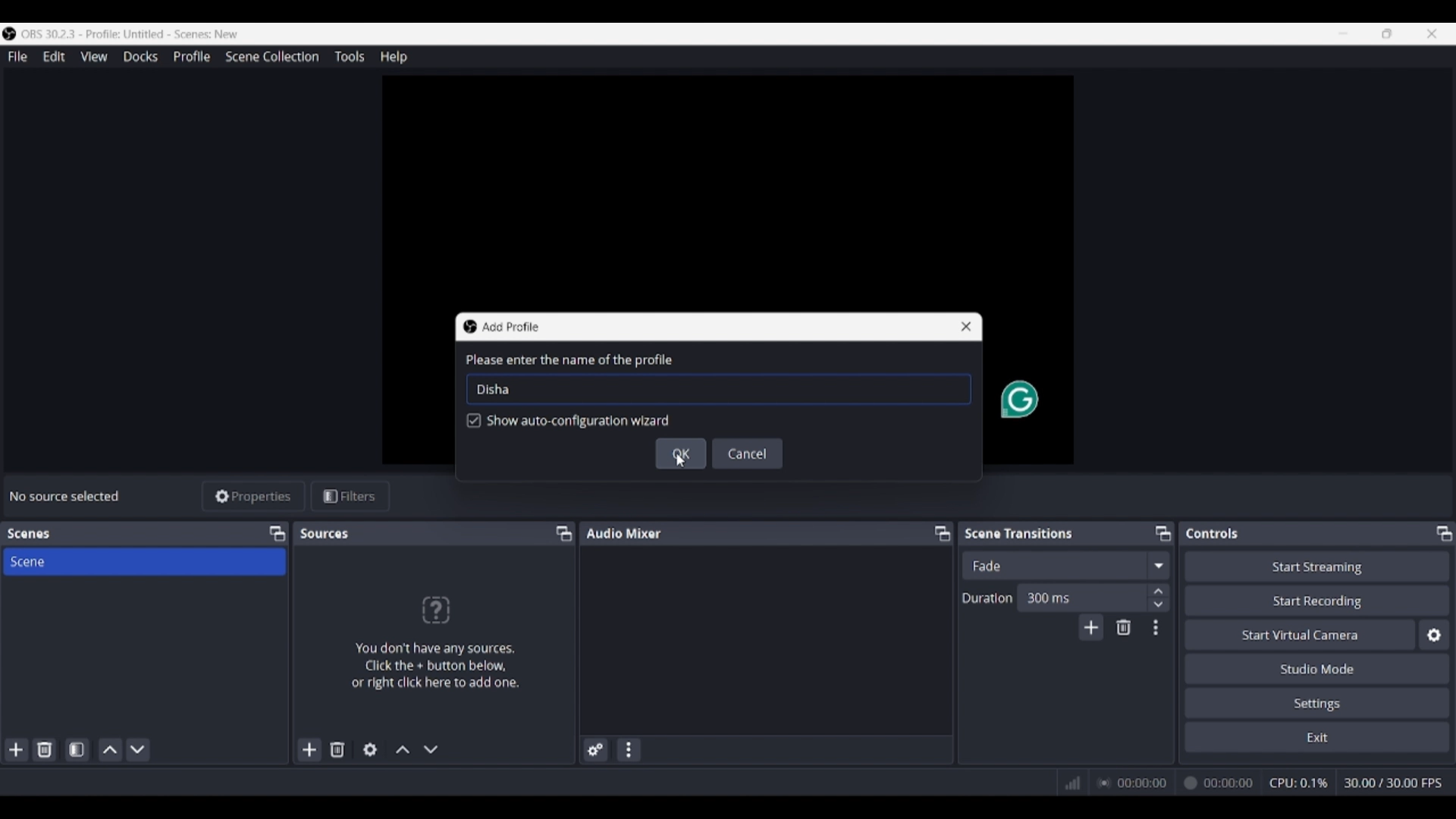 The width and height of the screenshot is (1456, 819). I want to click on Float Audio mixer, so click(942, 533).